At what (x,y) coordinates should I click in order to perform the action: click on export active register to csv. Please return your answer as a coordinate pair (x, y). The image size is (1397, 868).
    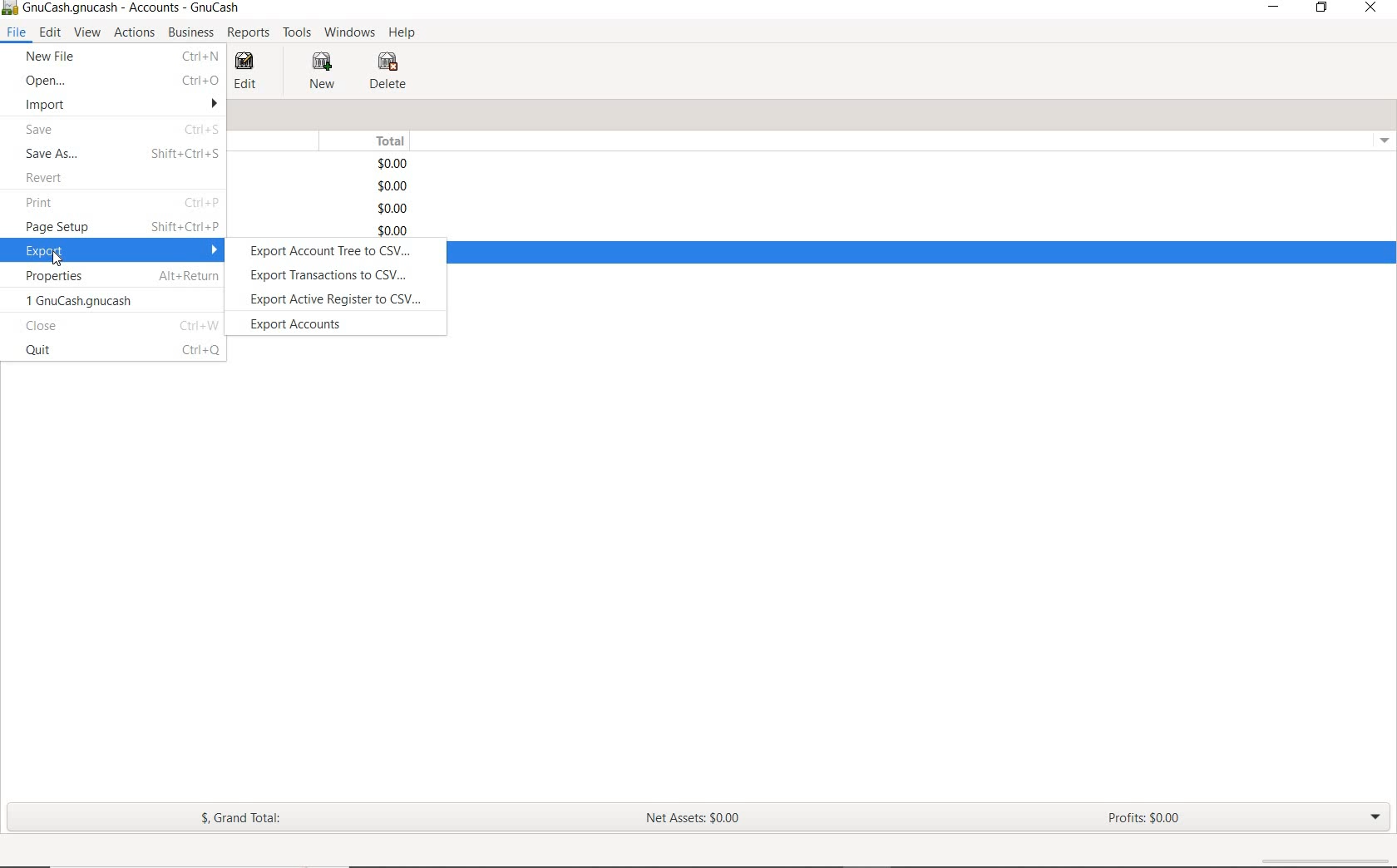
    Looking at the image, I should click on (335, 300).